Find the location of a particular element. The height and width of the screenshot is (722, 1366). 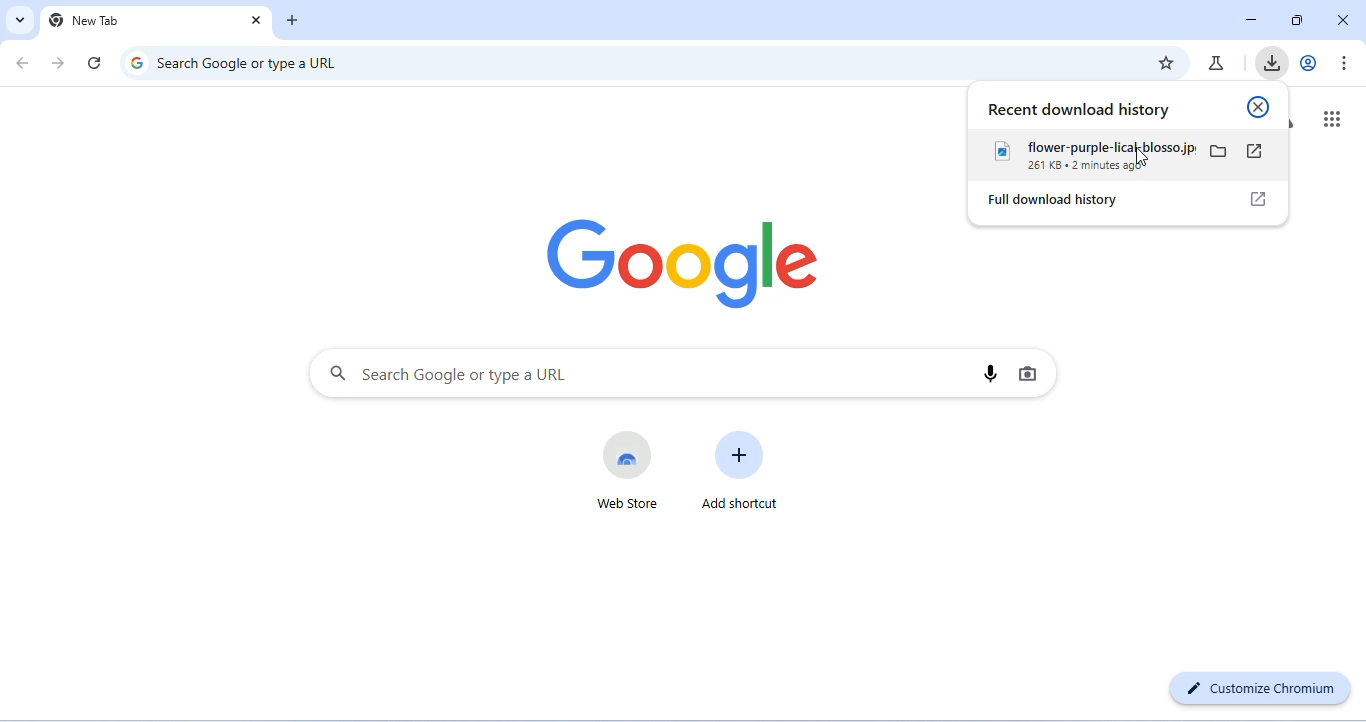

cursor movement is located at coordinates (1143, 158).